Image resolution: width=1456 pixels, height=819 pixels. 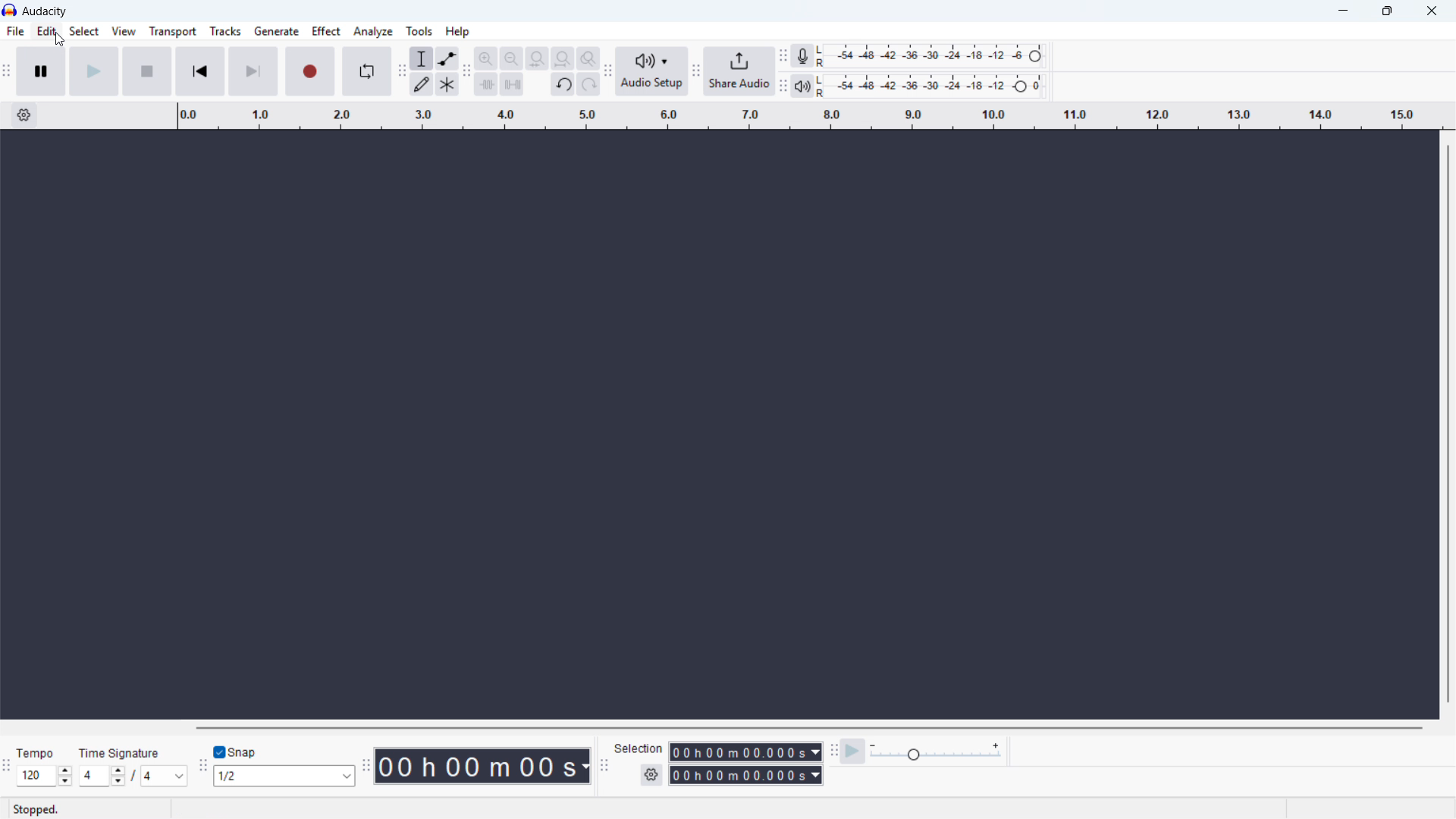 What do you see at coordinates (1342, 11) in the screenshot?
I see `minimize` at bounding box center [1342, 11].